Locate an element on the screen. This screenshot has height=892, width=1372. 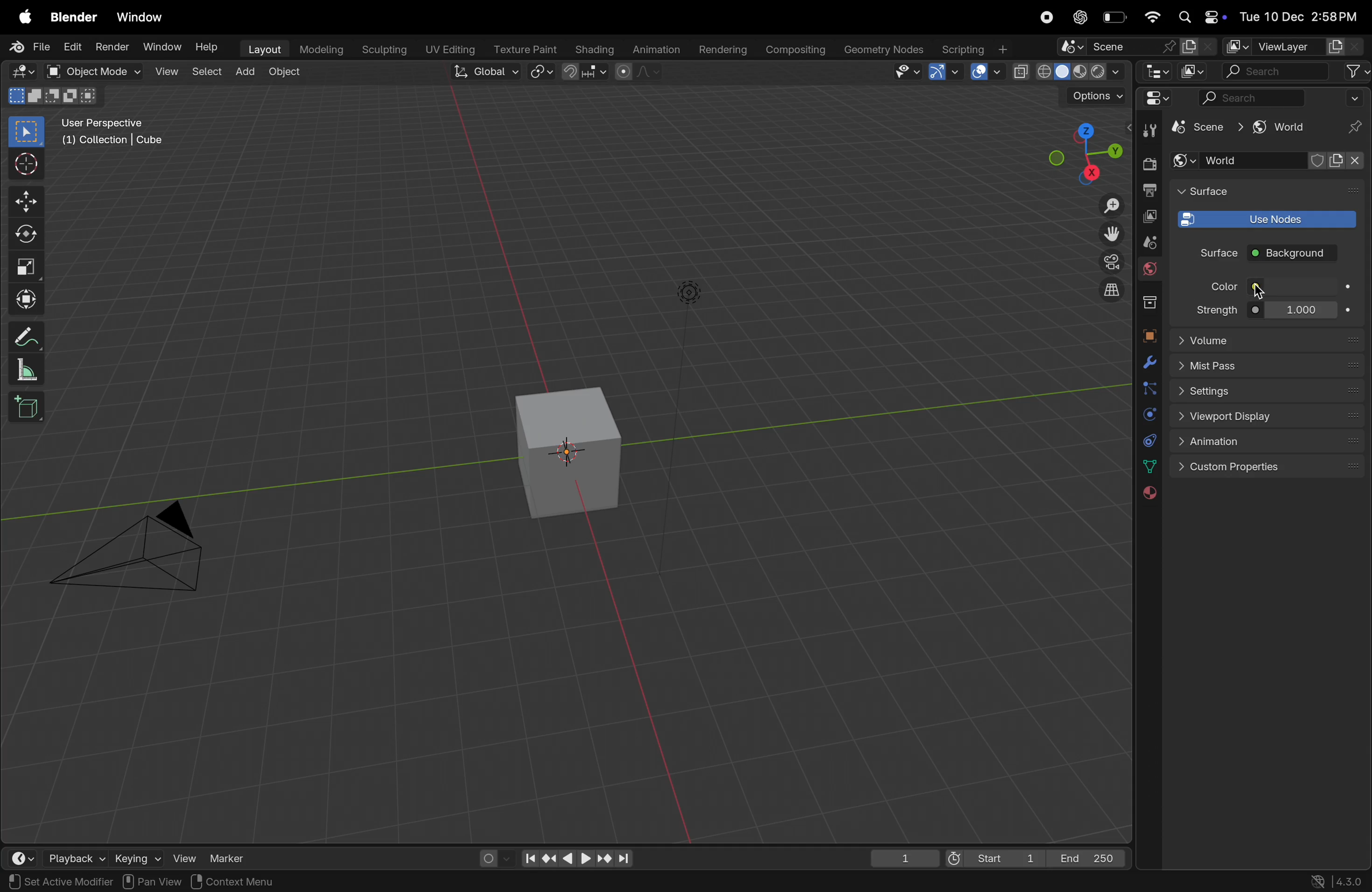
record is located at coordinates (1046, 17).